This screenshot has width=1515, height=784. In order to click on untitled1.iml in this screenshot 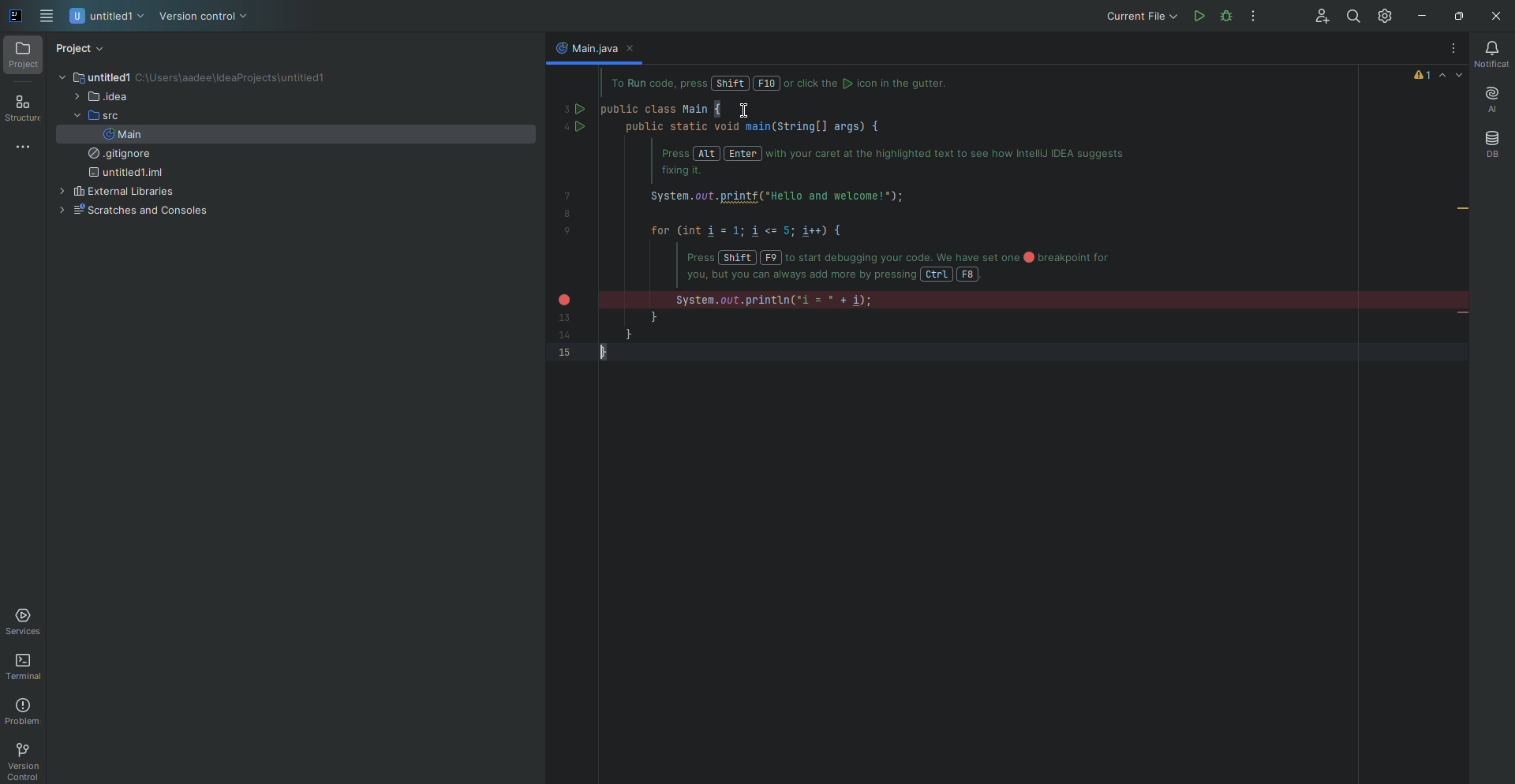, I will do `click(123, 174)`.